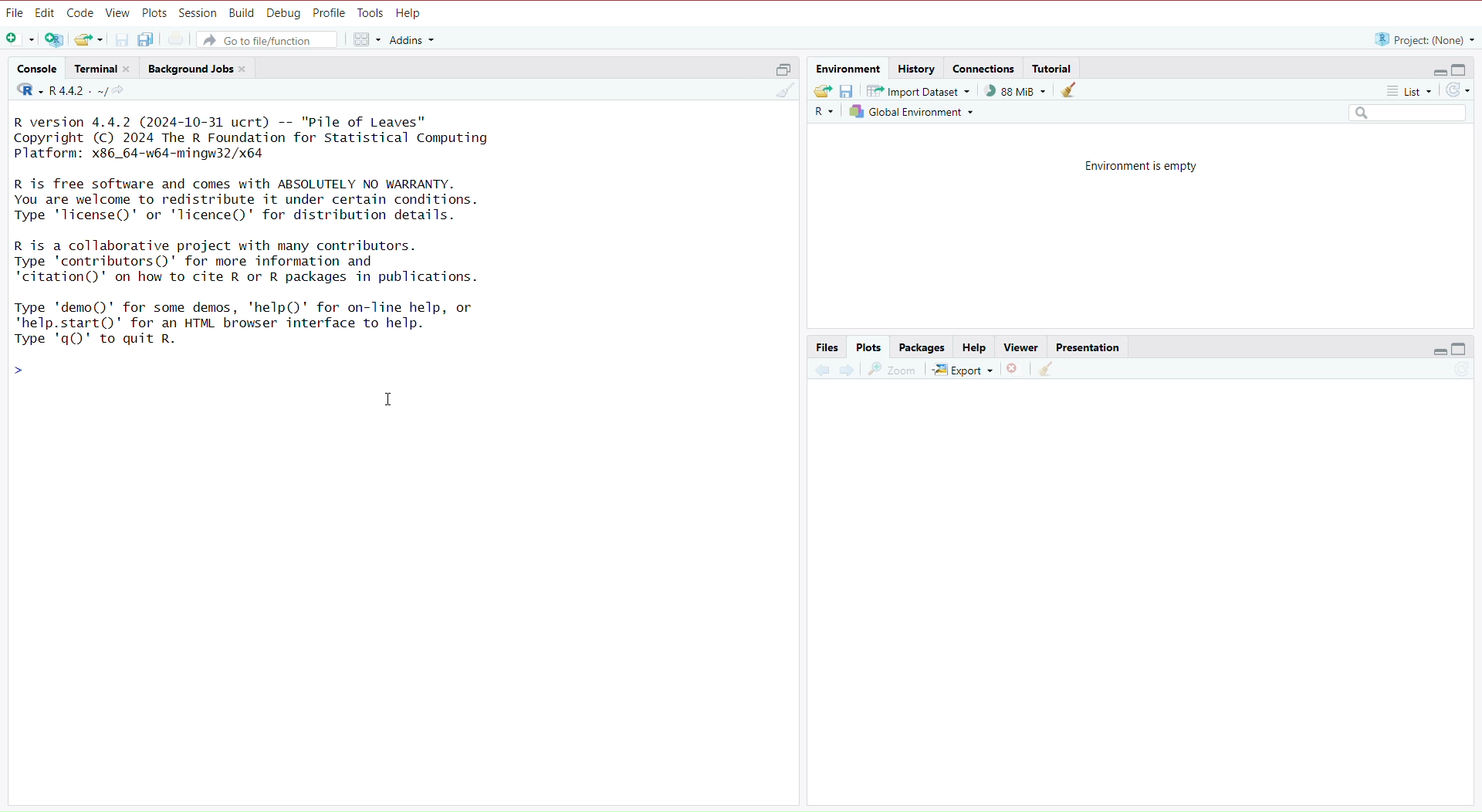 The image size is (1482, 812). I want to click on collapse, so click(1461, 349).